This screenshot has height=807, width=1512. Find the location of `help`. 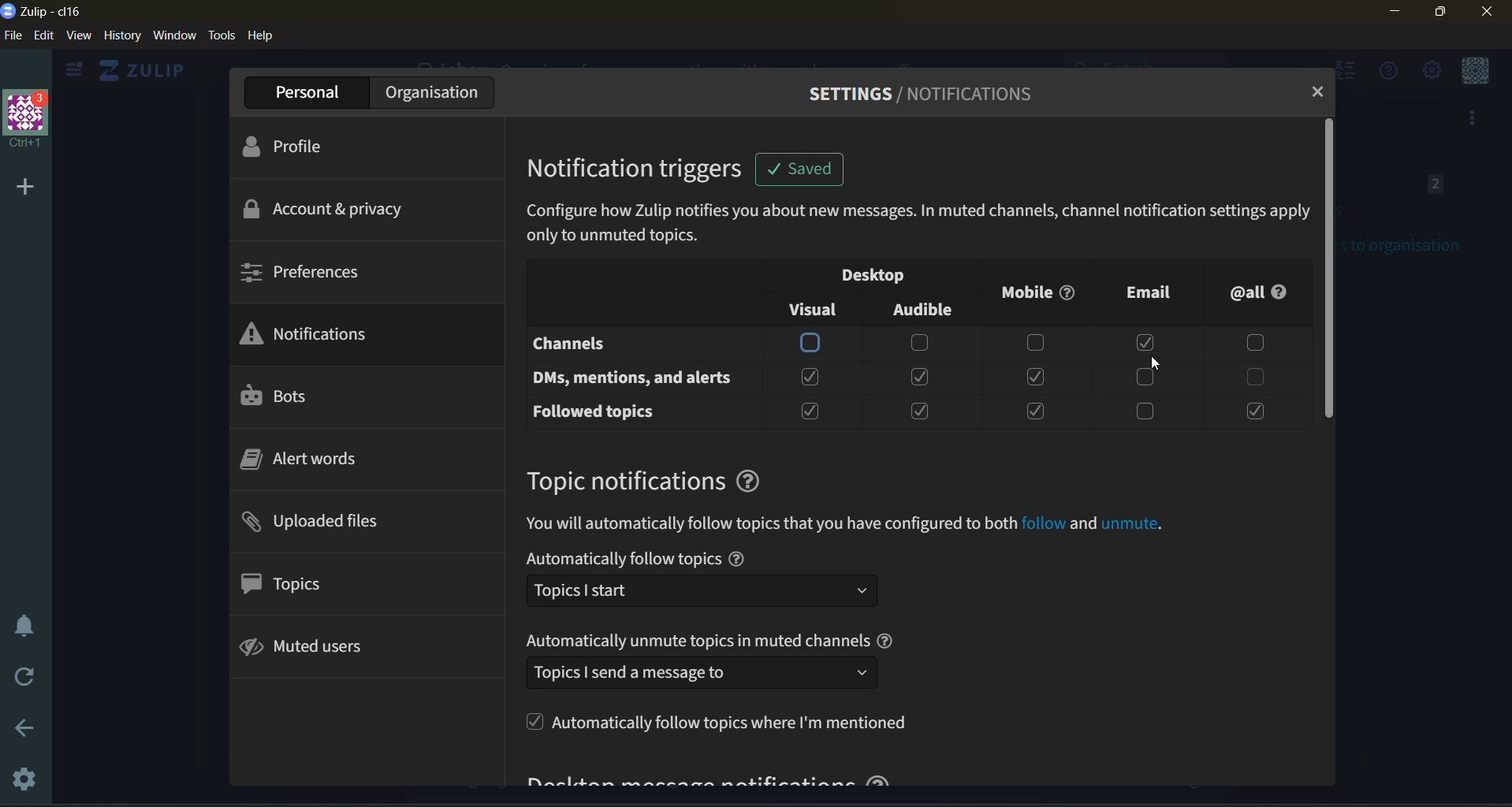

help is located at coordinates (887, 640).